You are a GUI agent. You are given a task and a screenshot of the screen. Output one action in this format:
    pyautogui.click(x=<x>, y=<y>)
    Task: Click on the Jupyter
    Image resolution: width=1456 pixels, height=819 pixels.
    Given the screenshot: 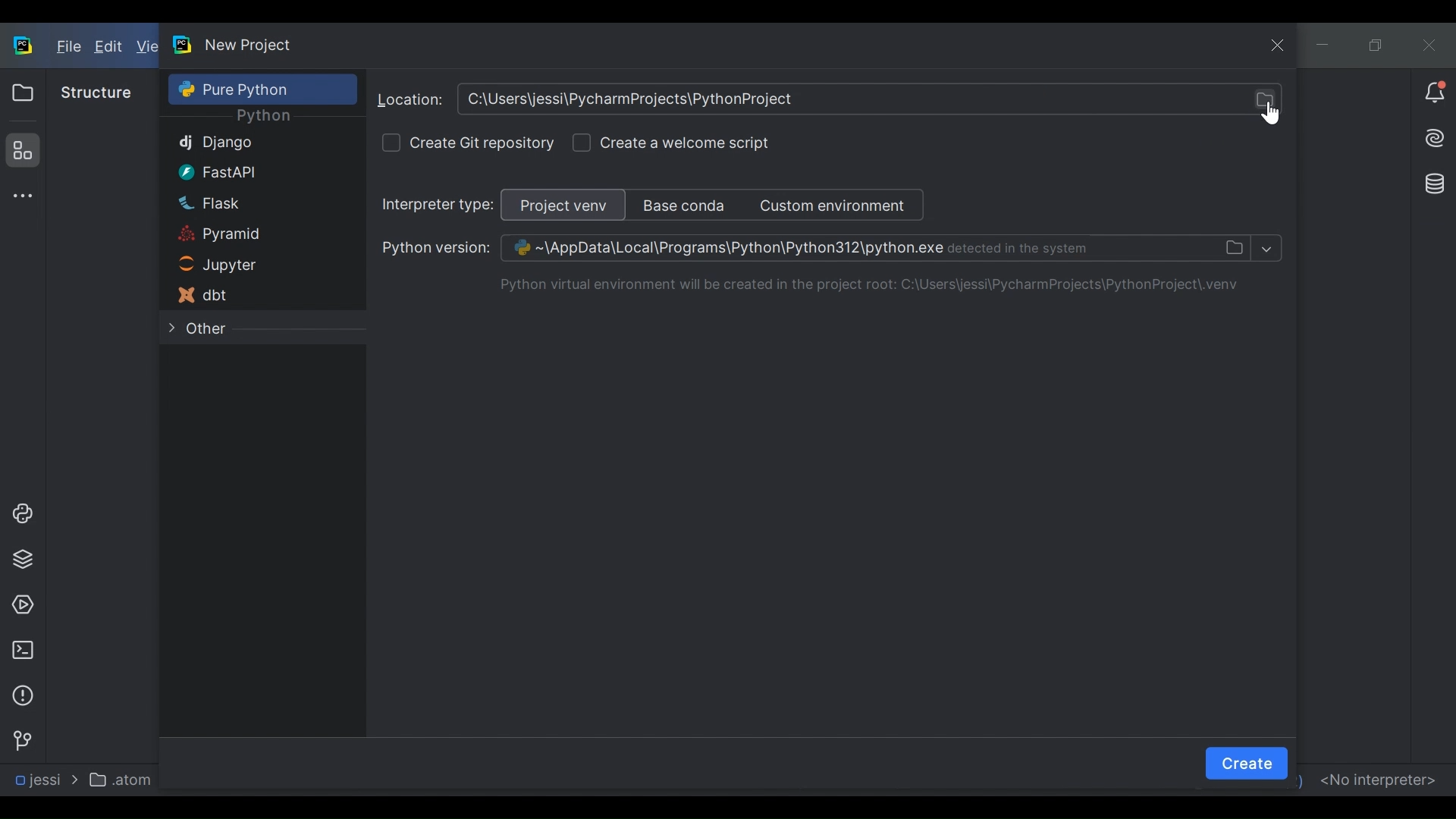 What is the action you would take?
    pyautogui.click(x=249, y=266)
    